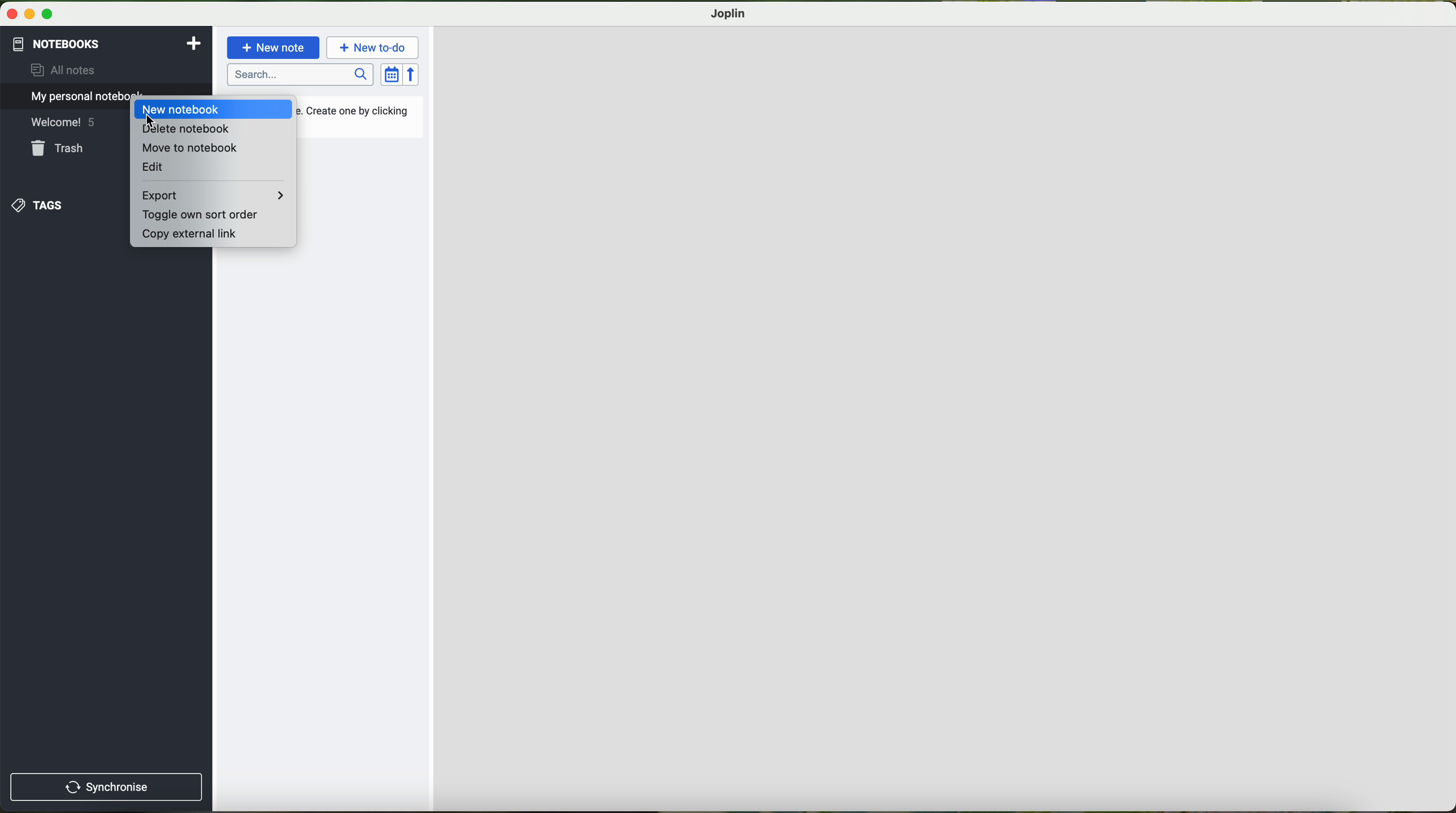 This screenshot has height=813, width=1456. What do you see at coordinates (36, 204) in the screenshot?
I see `tags` at bounding box center [36, 204].